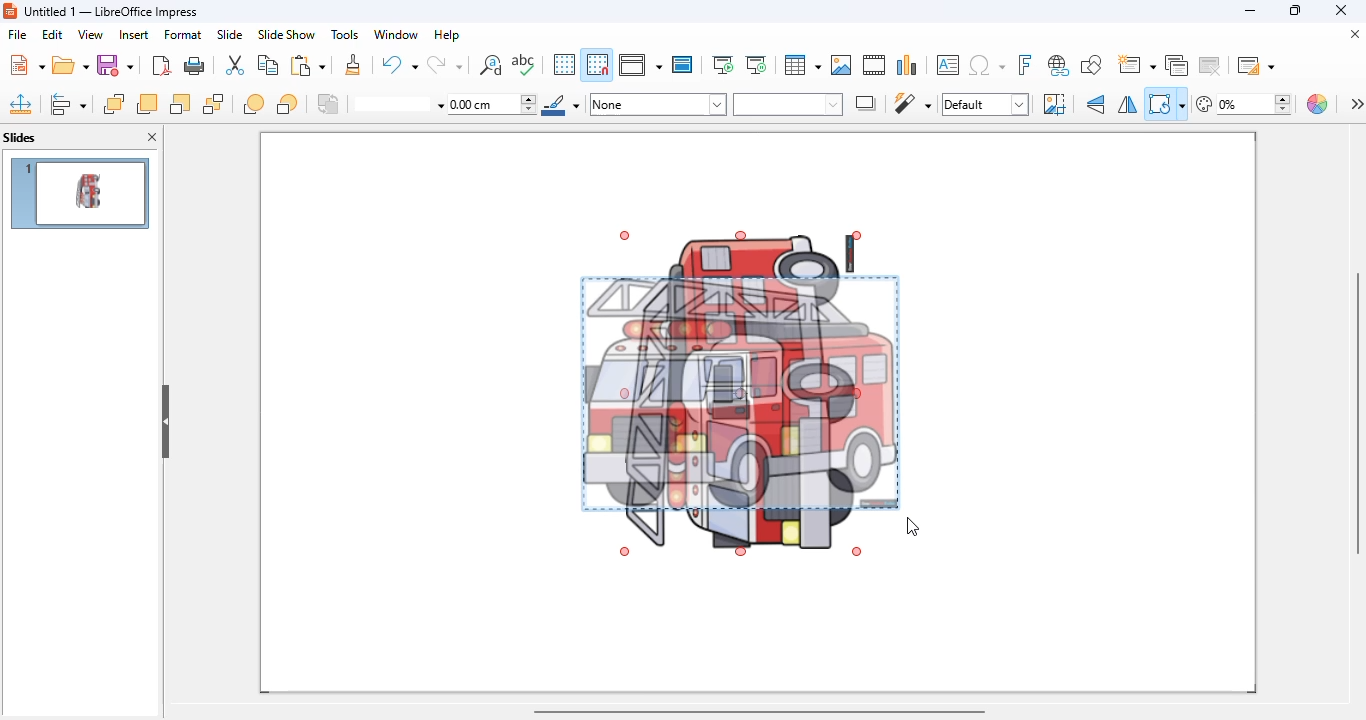  I want to click on bring to front, so click(114, 104).